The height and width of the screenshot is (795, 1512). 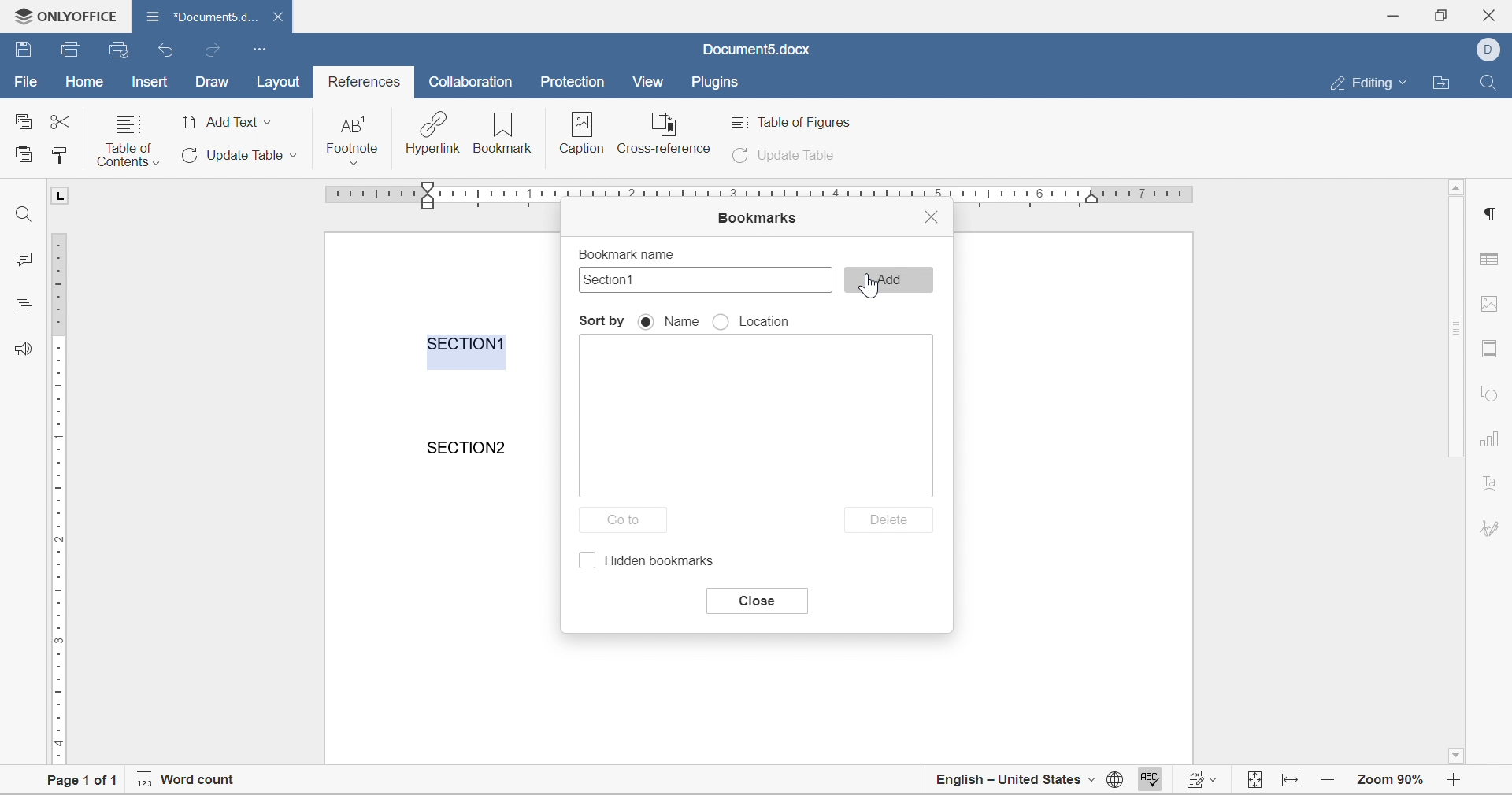 I want to click on ruler, so click(x=57, y=497).